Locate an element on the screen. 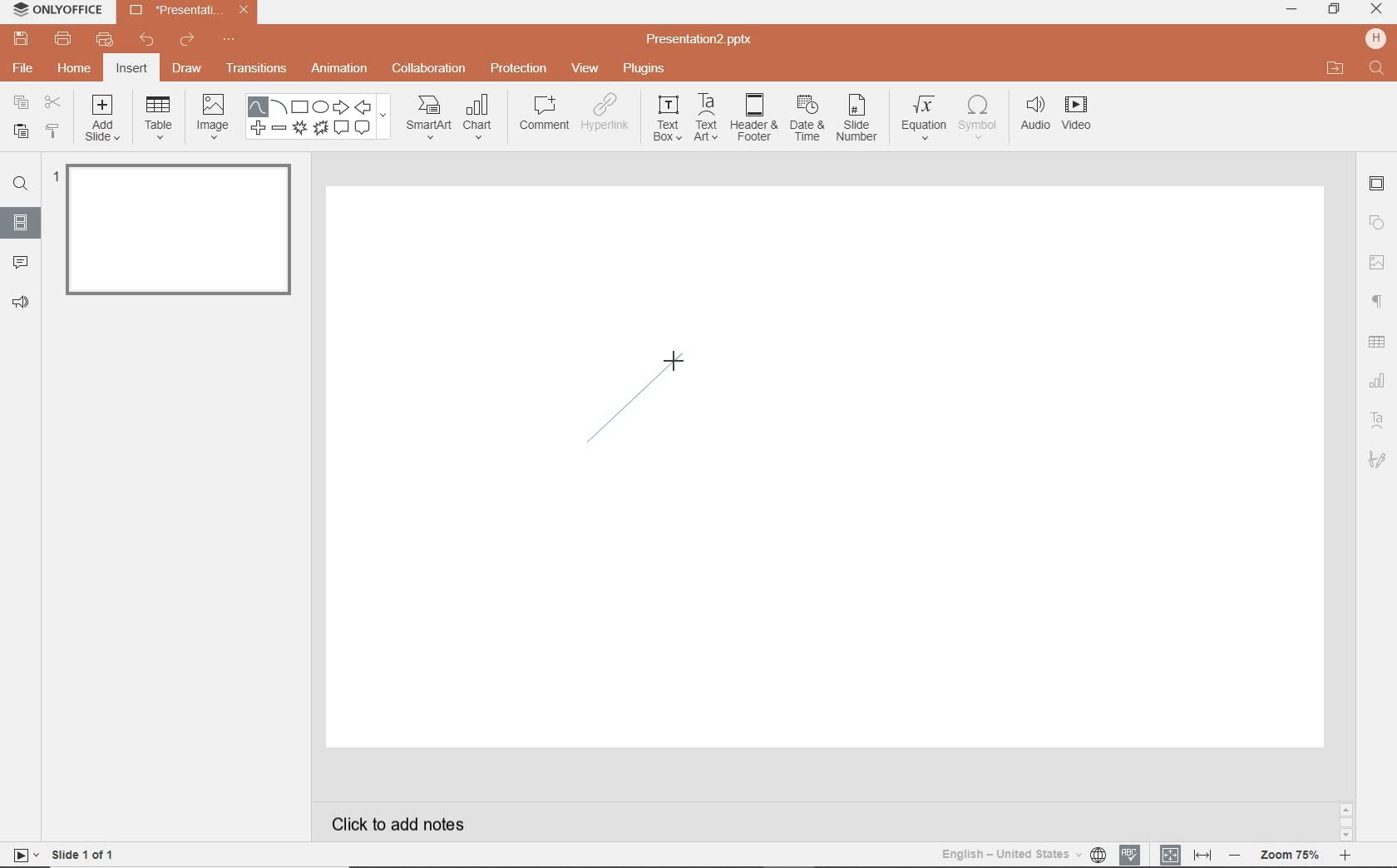 The width and height of the screenshot is (1397, 868). image settings is located at coordinates (1377, 262).